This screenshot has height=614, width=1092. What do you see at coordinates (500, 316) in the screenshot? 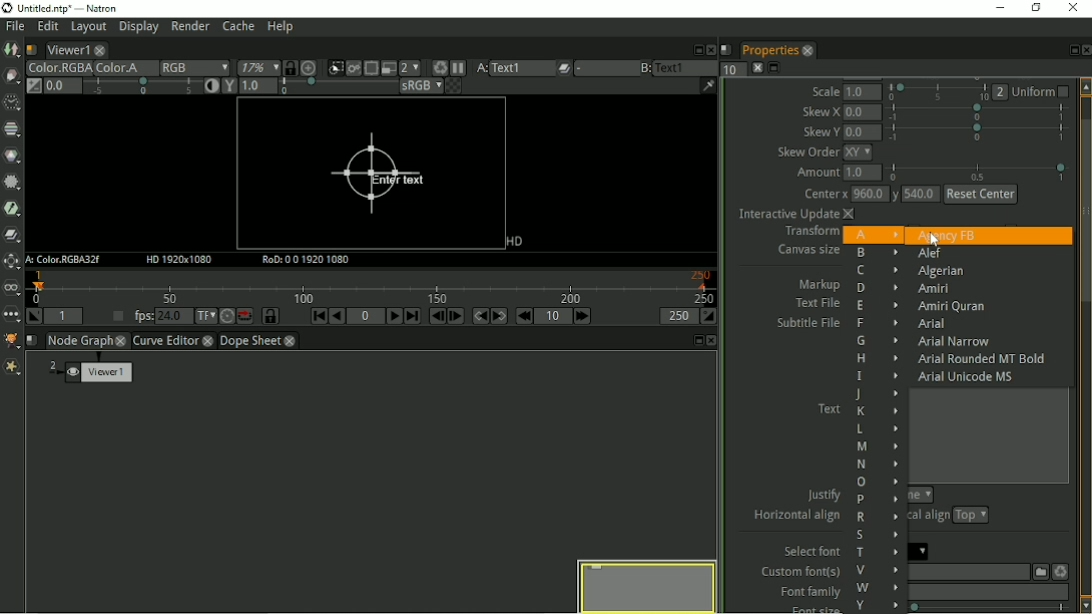
I see `Next keyframe` at bounding box center [500, 316].